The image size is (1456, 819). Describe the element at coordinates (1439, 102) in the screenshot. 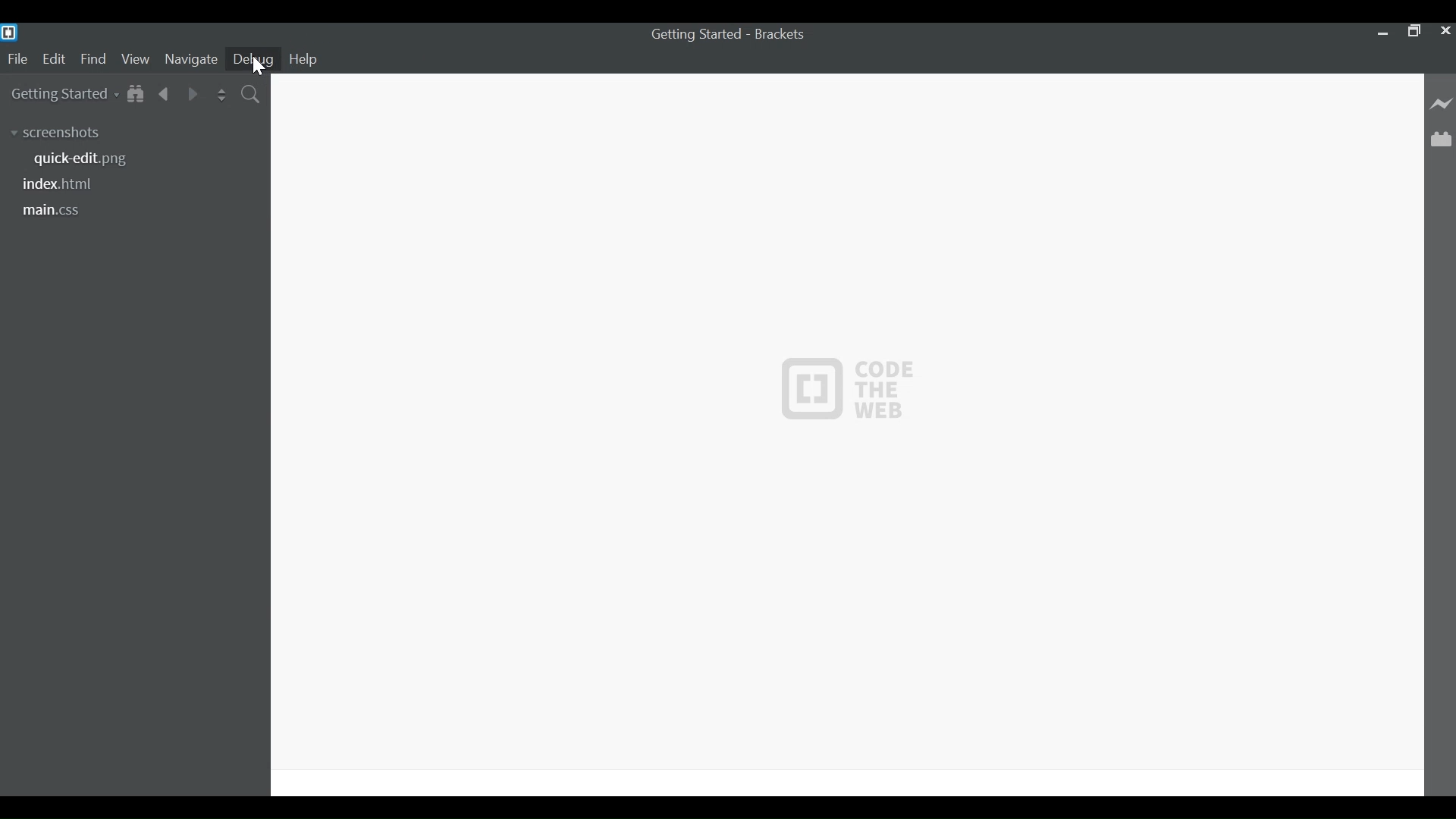

I see `Live Preview` at that location.